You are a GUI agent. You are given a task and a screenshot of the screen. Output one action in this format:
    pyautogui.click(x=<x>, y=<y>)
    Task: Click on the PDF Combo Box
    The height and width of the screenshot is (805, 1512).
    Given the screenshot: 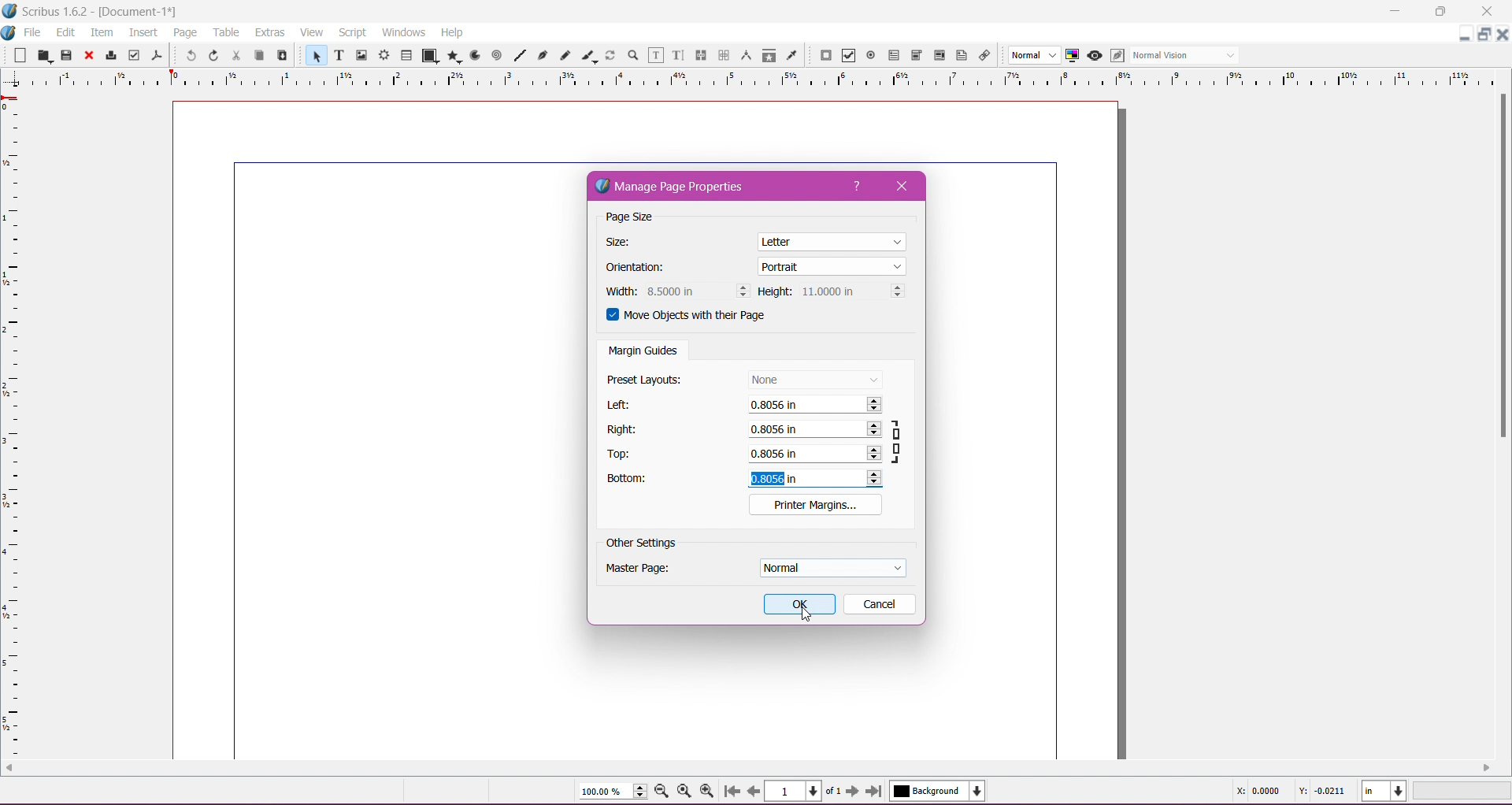 What is the action you would take?
    pyautogui.click(x=917, y=55)
    